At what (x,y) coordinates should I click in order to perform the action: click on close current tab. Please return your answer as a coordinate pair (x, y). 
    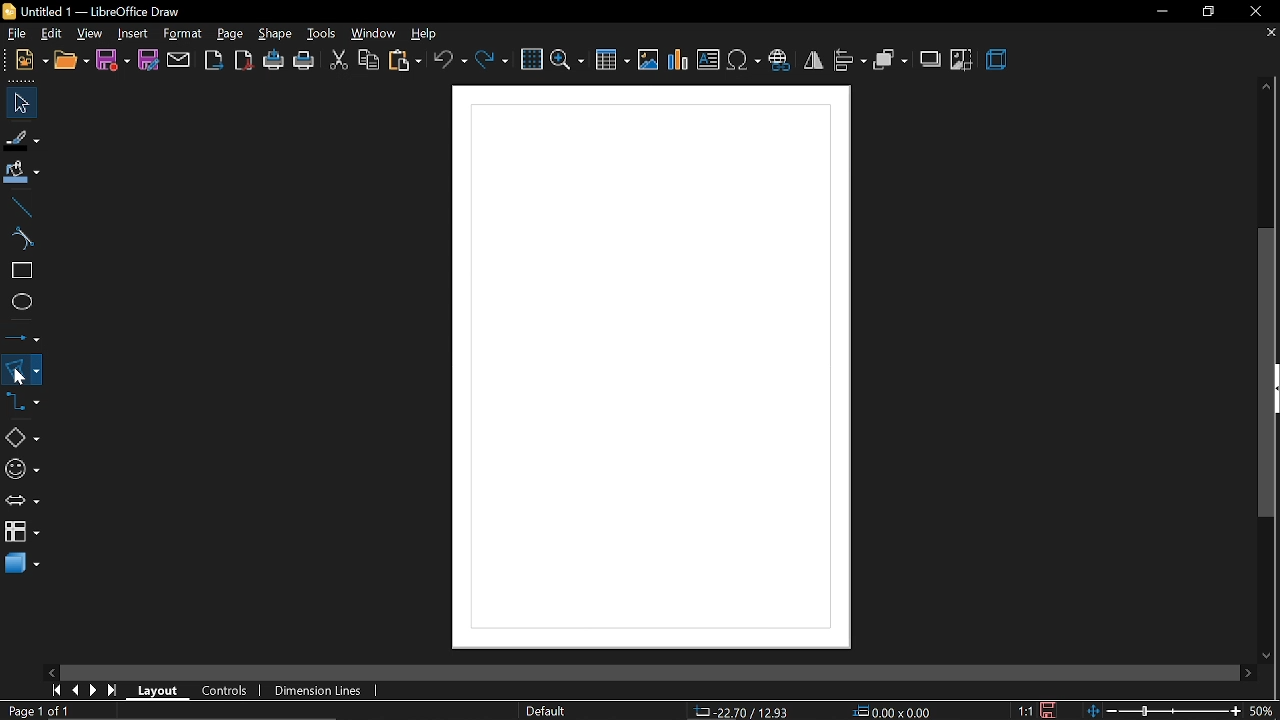
    Looking at the image, I should click on (1267, 34).